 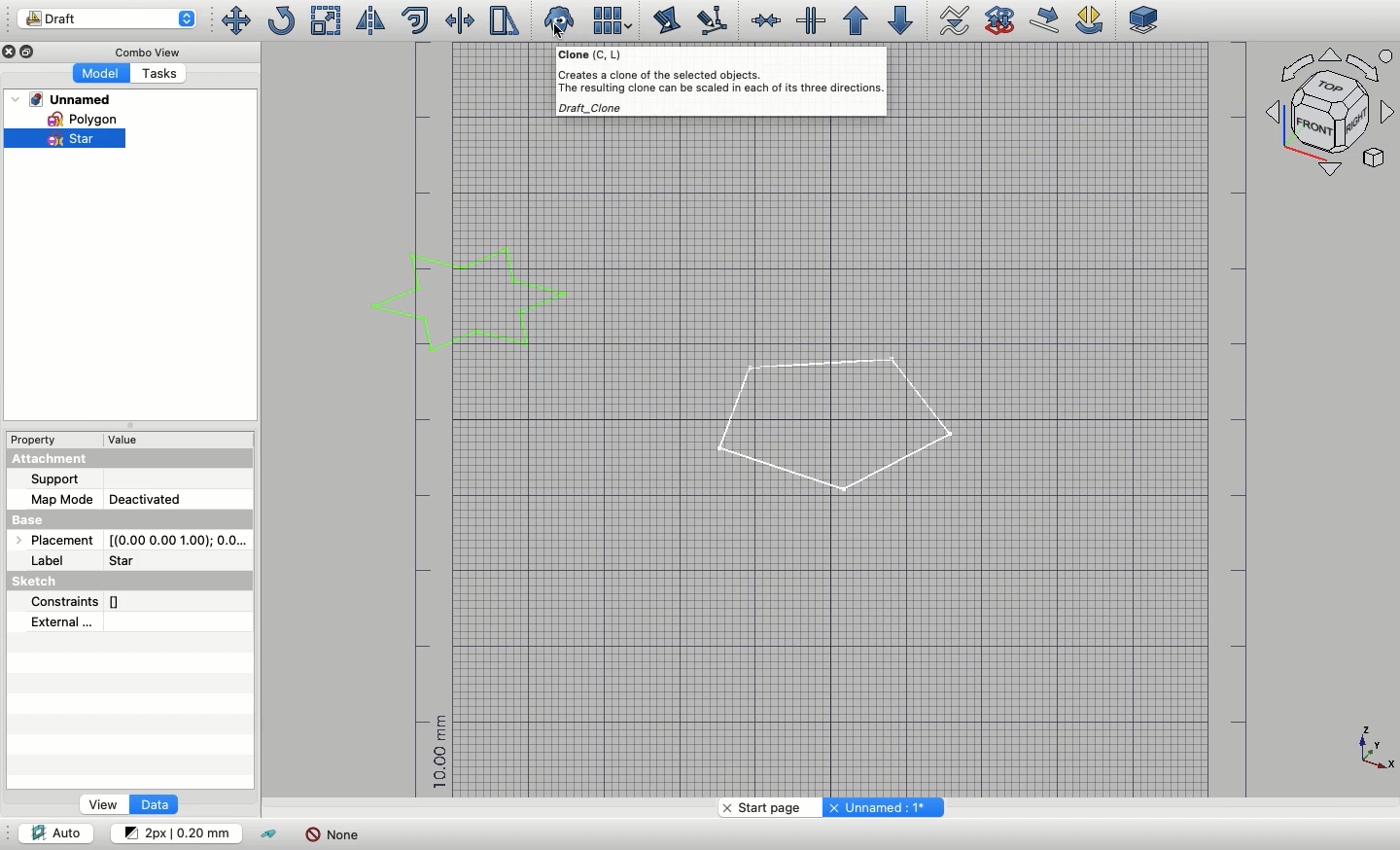 What do you see at coordinates (30, 52) in the screenshot?
I see `Collapse` at bounding box center [30, 52].